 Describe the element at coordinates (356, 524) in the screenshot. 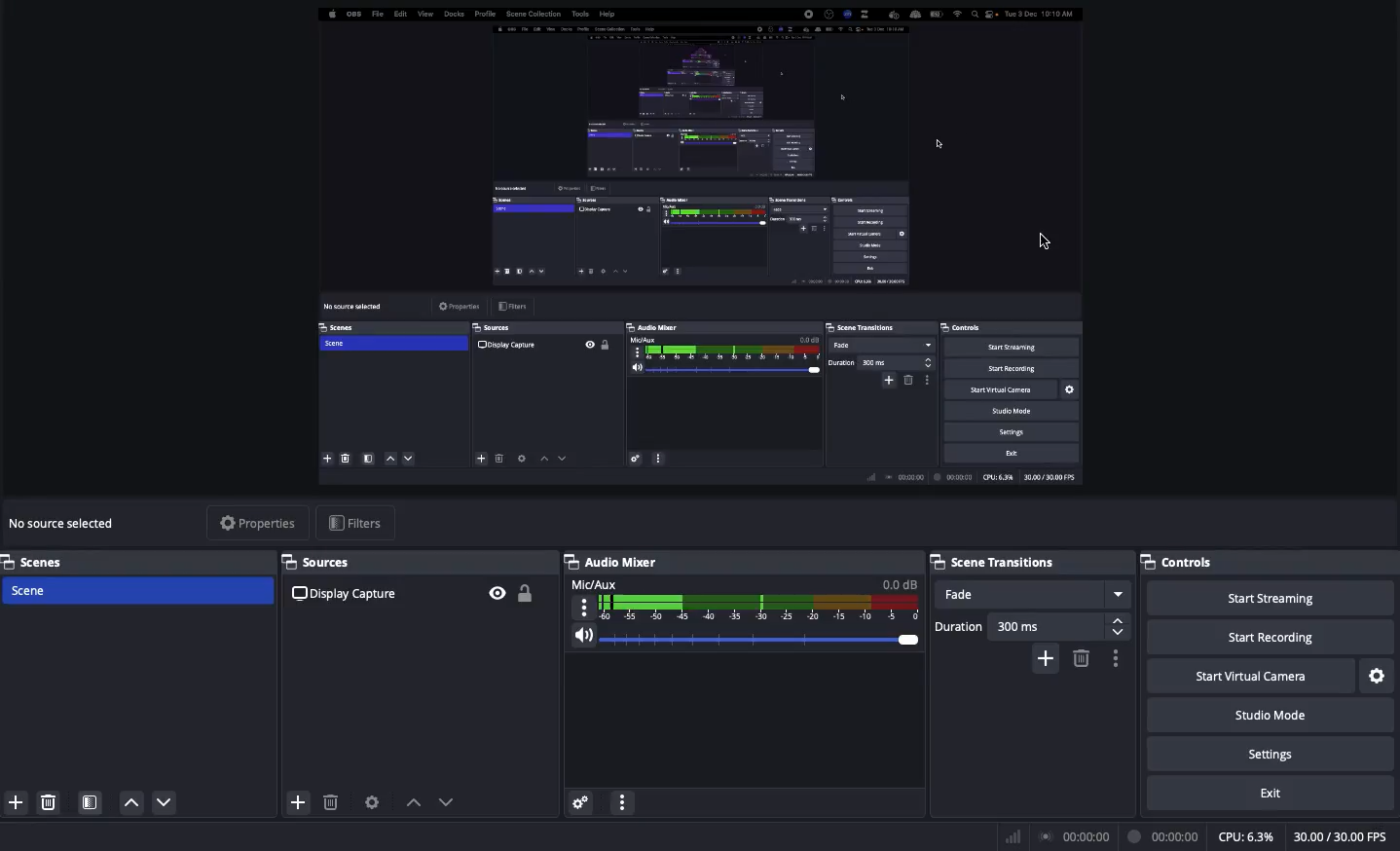

I see `Filters` at that location.